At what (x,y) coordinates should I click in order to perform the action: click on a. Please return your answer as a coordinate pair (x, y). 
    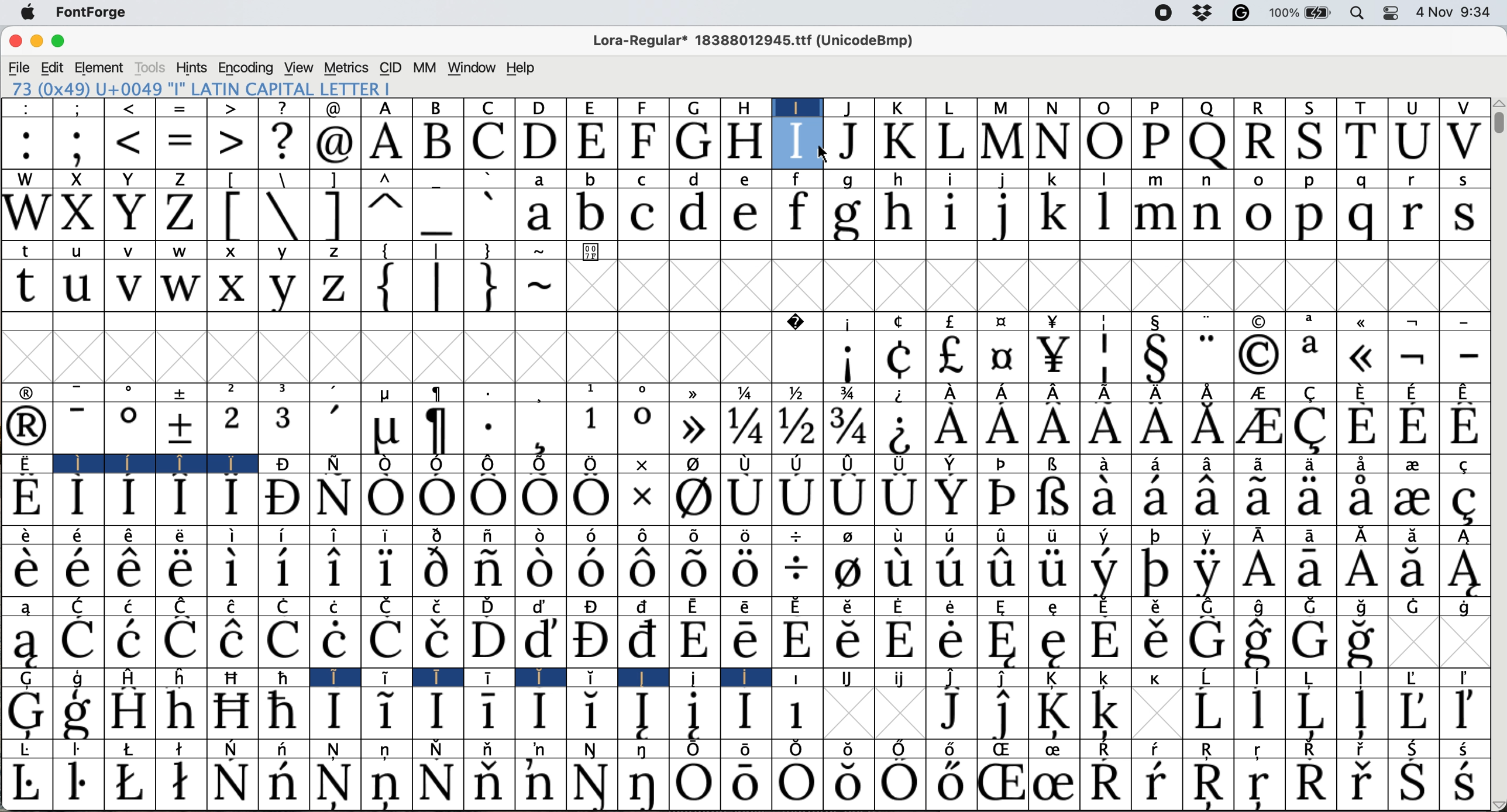
    Looking at the image, I should click on (1315, 322).